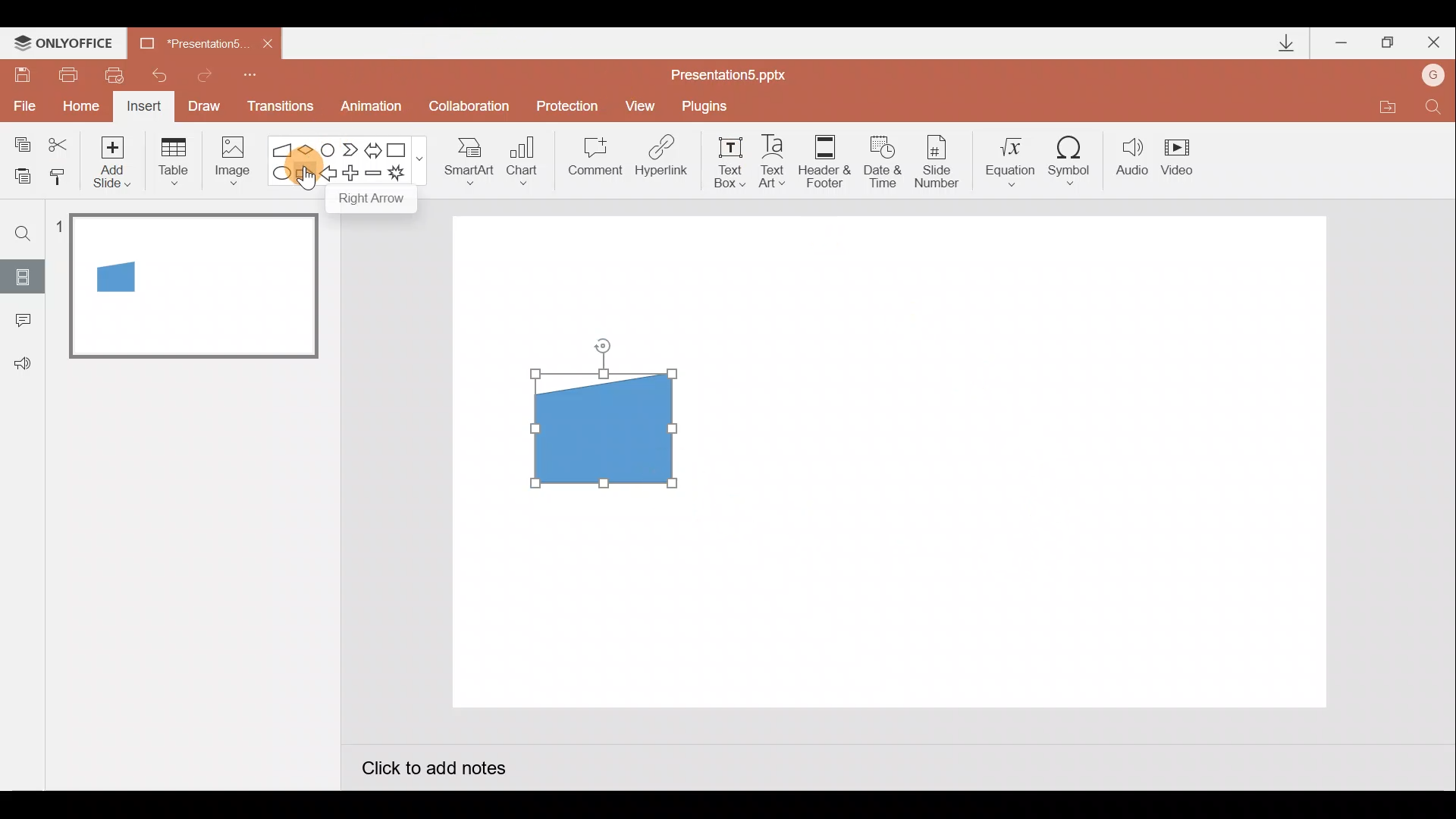  Describe the element at coordinates (115, 158) in the screenshot. I see `Add slide` at that location.